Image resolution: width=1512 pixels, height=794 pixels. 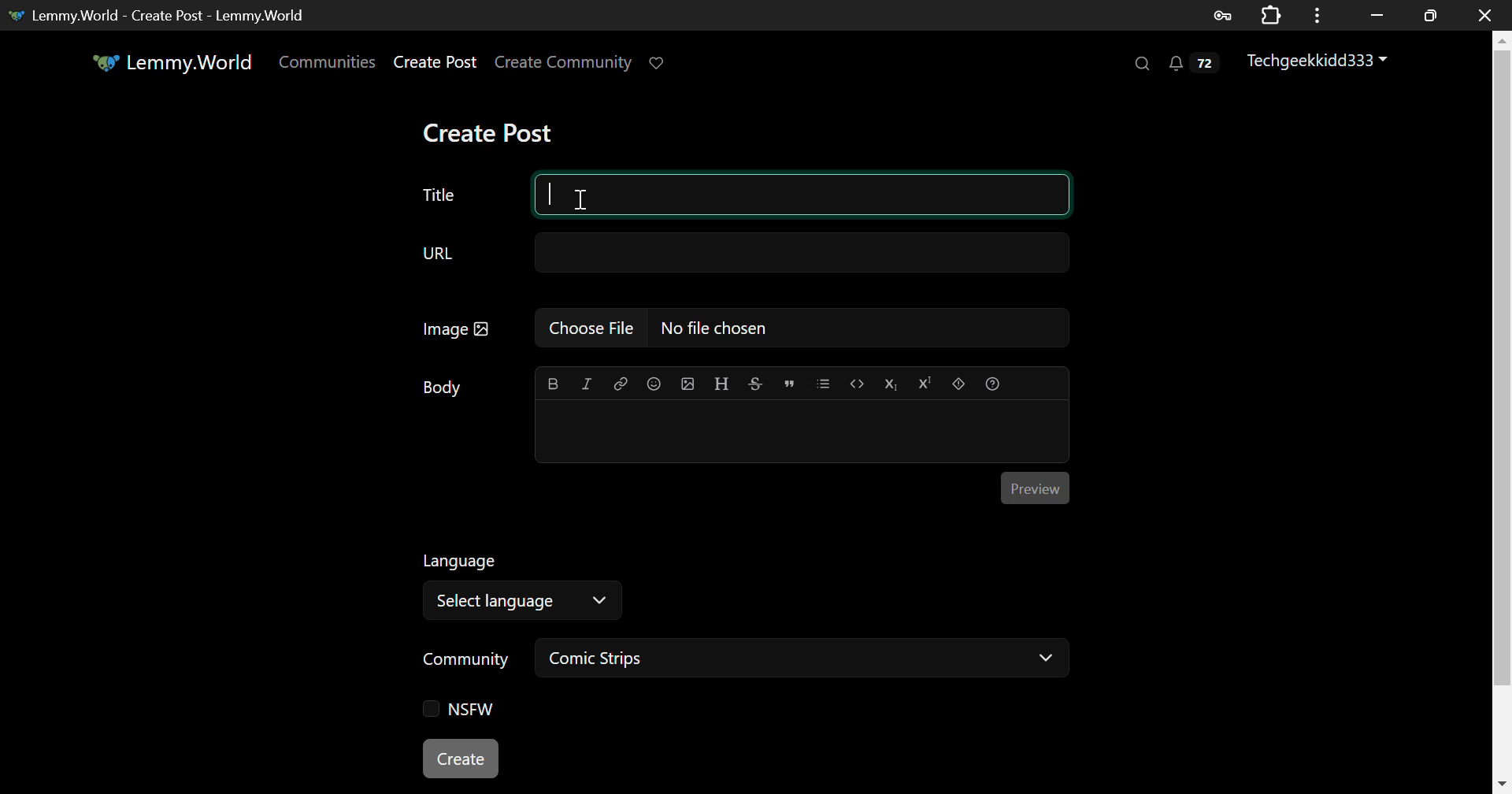 I want to click on Lemmy.World, so click(x=172, y=62).